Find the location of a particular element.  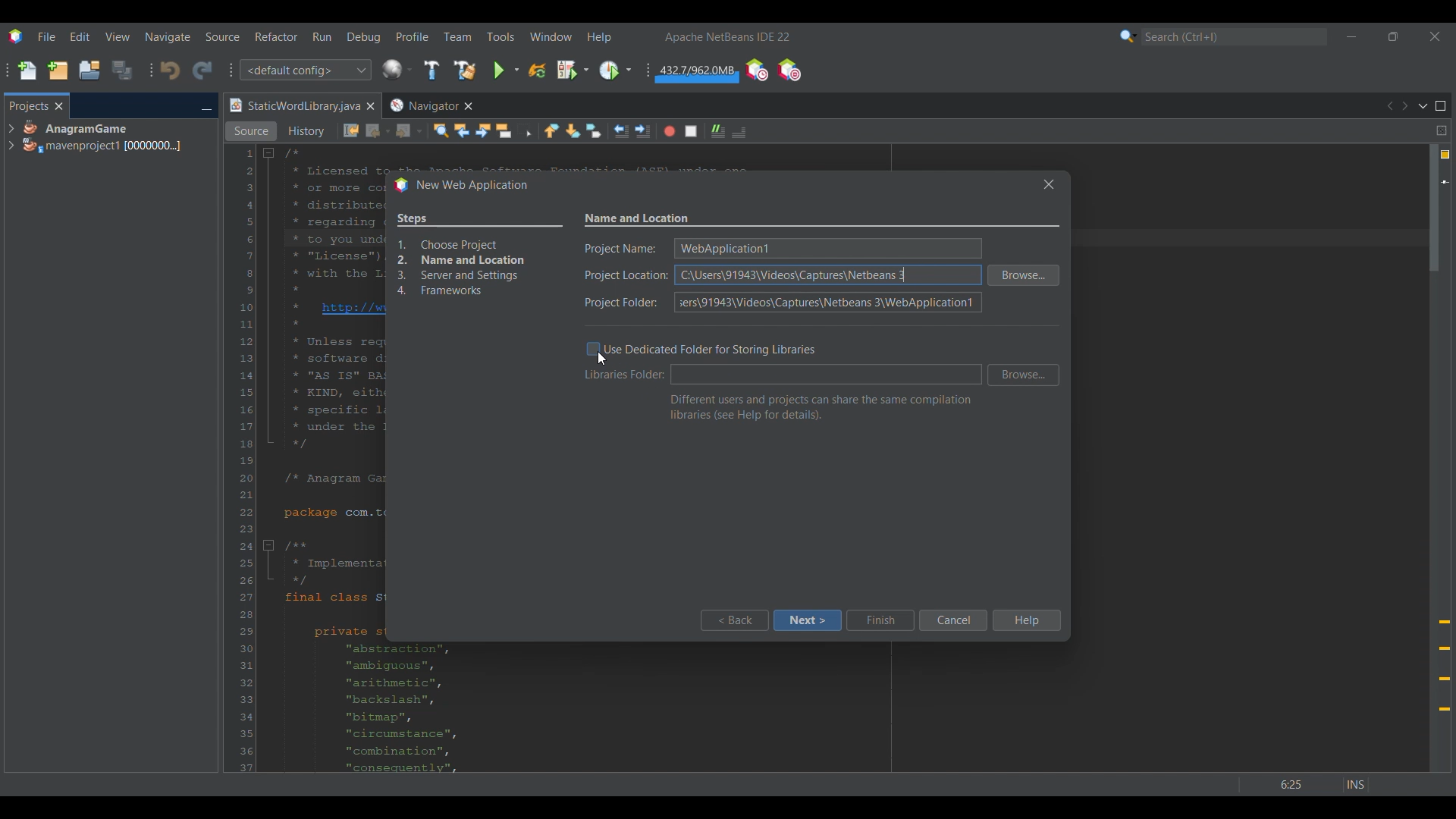

Expand is located at coordinates (11, 137).